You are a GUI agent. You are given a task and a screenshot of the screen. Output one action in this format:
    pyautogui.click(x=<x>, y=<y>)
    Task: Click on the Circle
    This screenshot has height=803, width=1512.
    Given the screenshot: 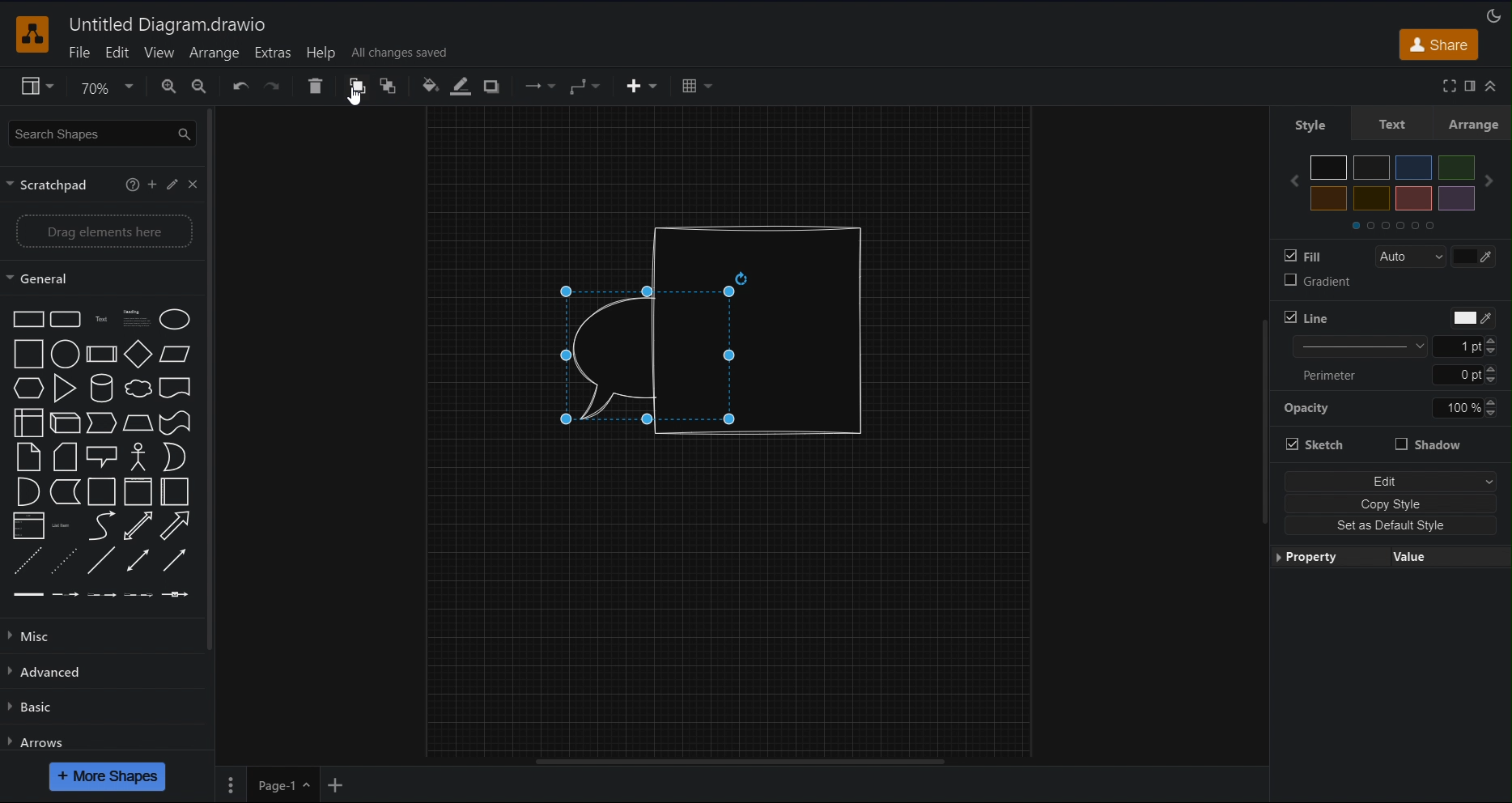 What is the action you would take?
    pyautogui.click(x=66, y=354)
    